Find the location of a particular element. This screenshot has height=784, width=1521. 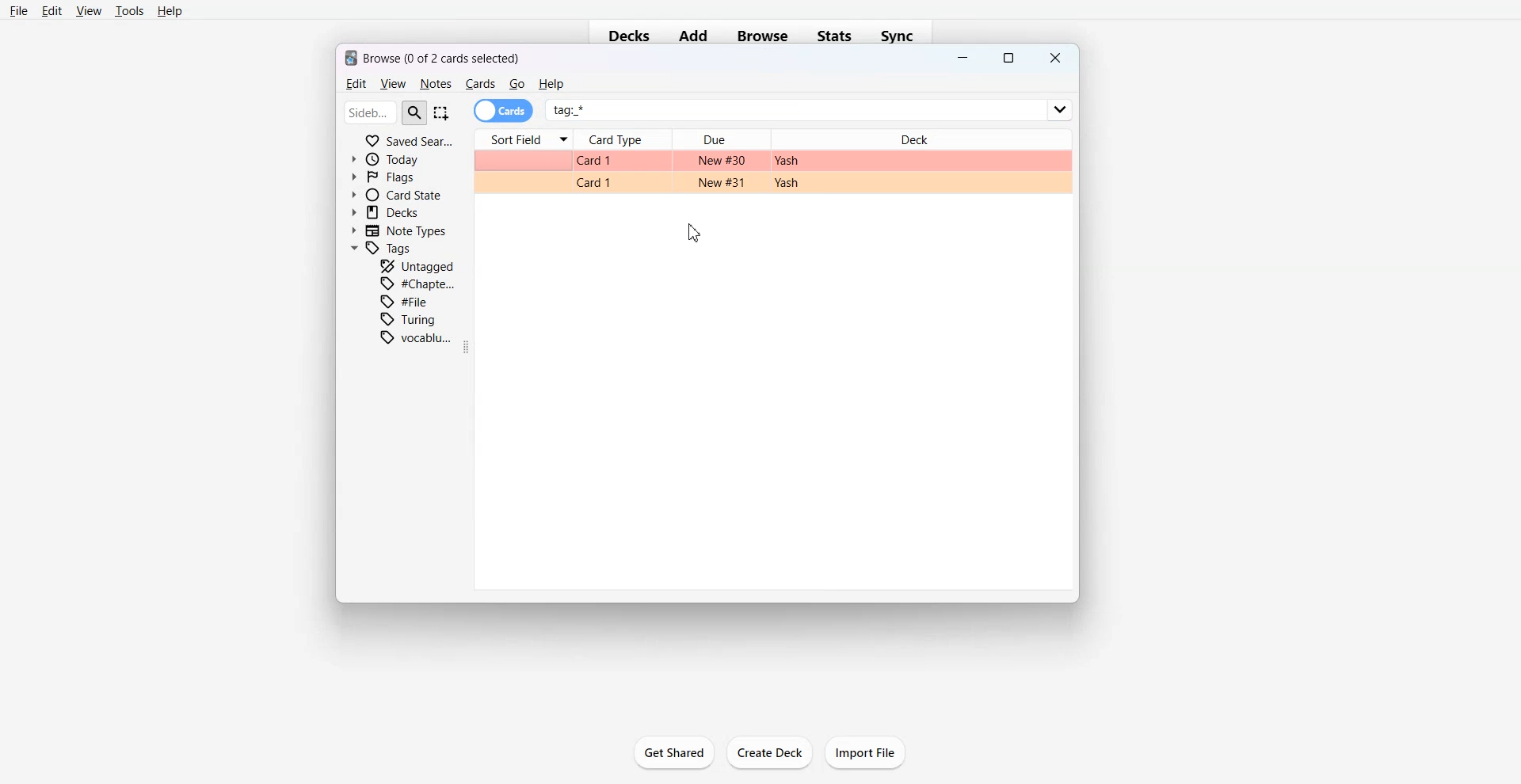

Help is located at coordinates (170, 12).